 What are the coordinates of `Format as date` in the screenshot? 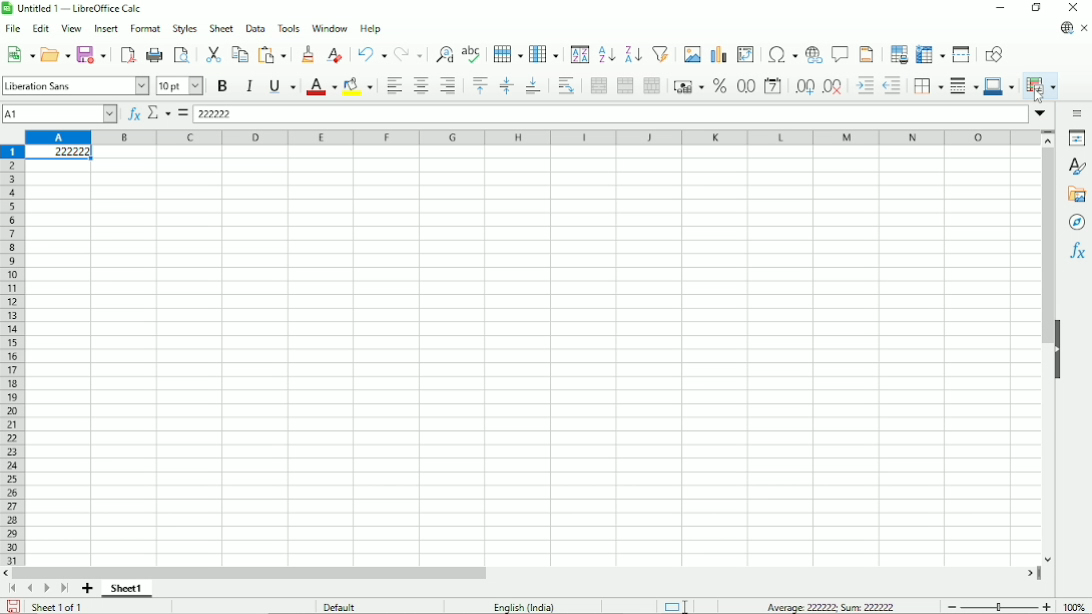 It's located at (772, 86).